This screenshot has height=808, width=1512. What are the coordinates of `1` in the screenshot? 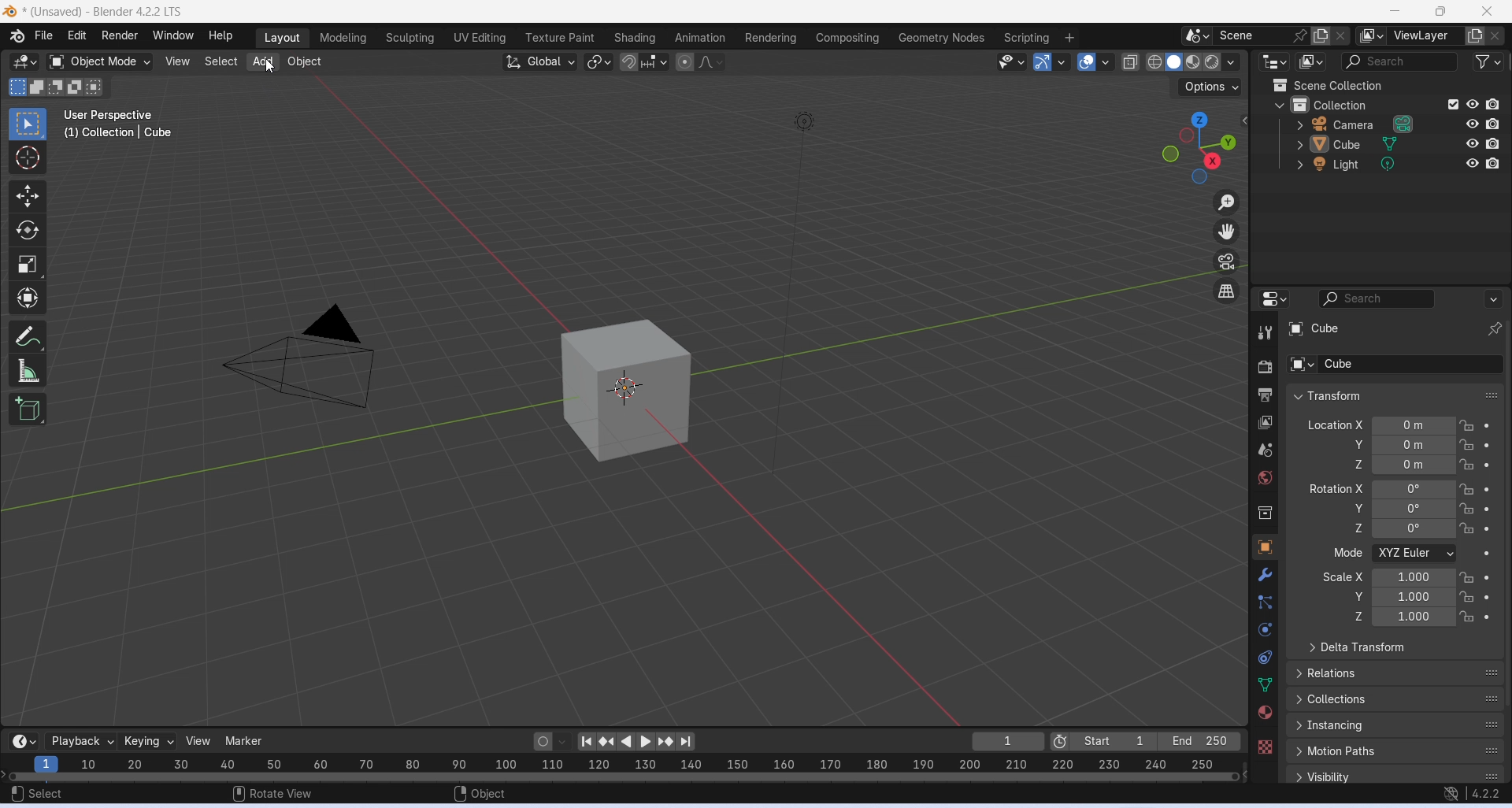 It's located at (1009, 741).